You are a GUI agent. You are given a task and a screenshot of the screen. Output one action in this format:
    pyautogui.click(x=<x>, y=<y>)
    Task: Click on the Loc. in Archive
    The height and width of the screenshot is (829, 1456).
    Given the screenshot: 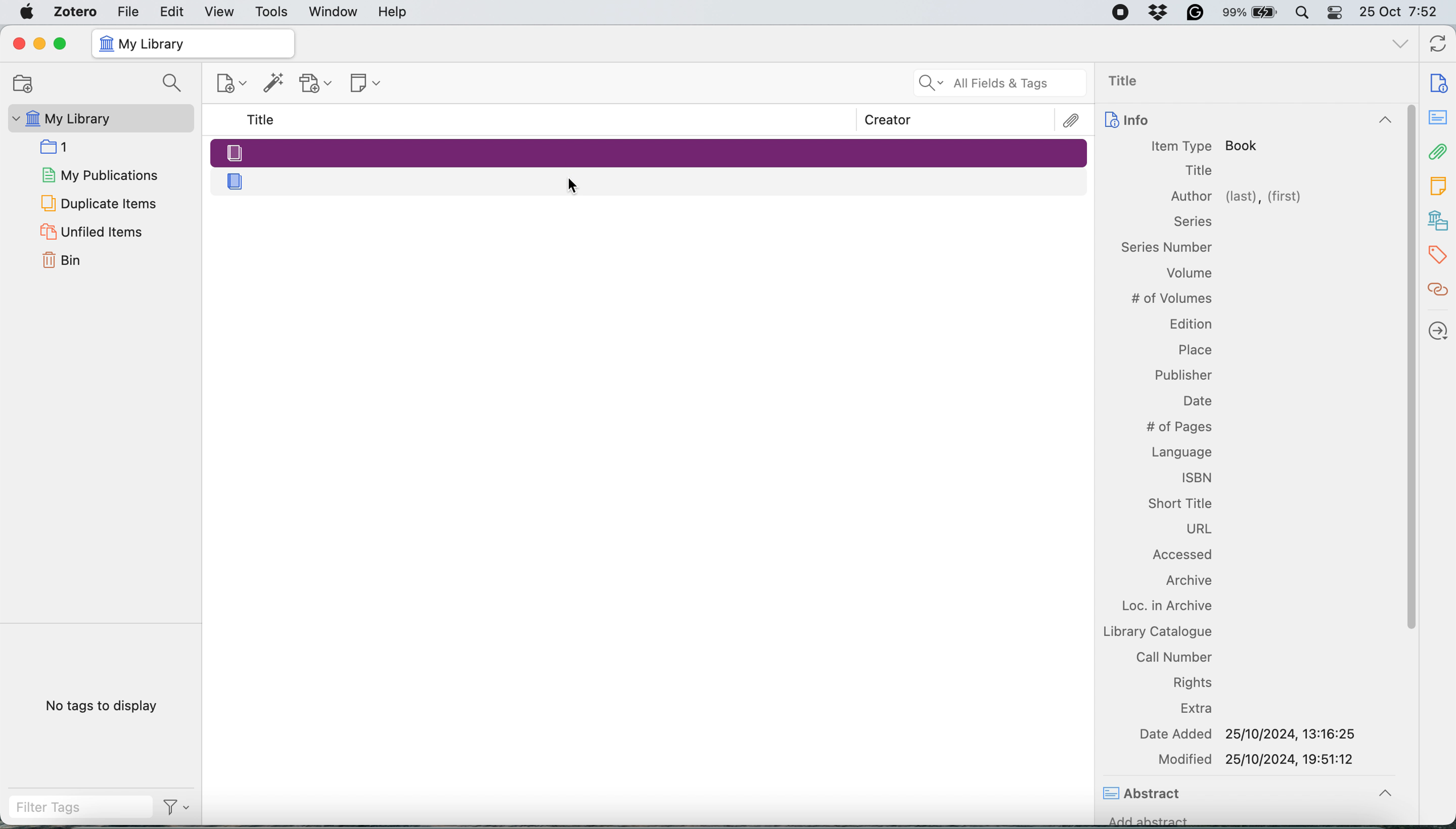 What is the action you would take?
    pyautogui.click(x=1159, y=606)
    